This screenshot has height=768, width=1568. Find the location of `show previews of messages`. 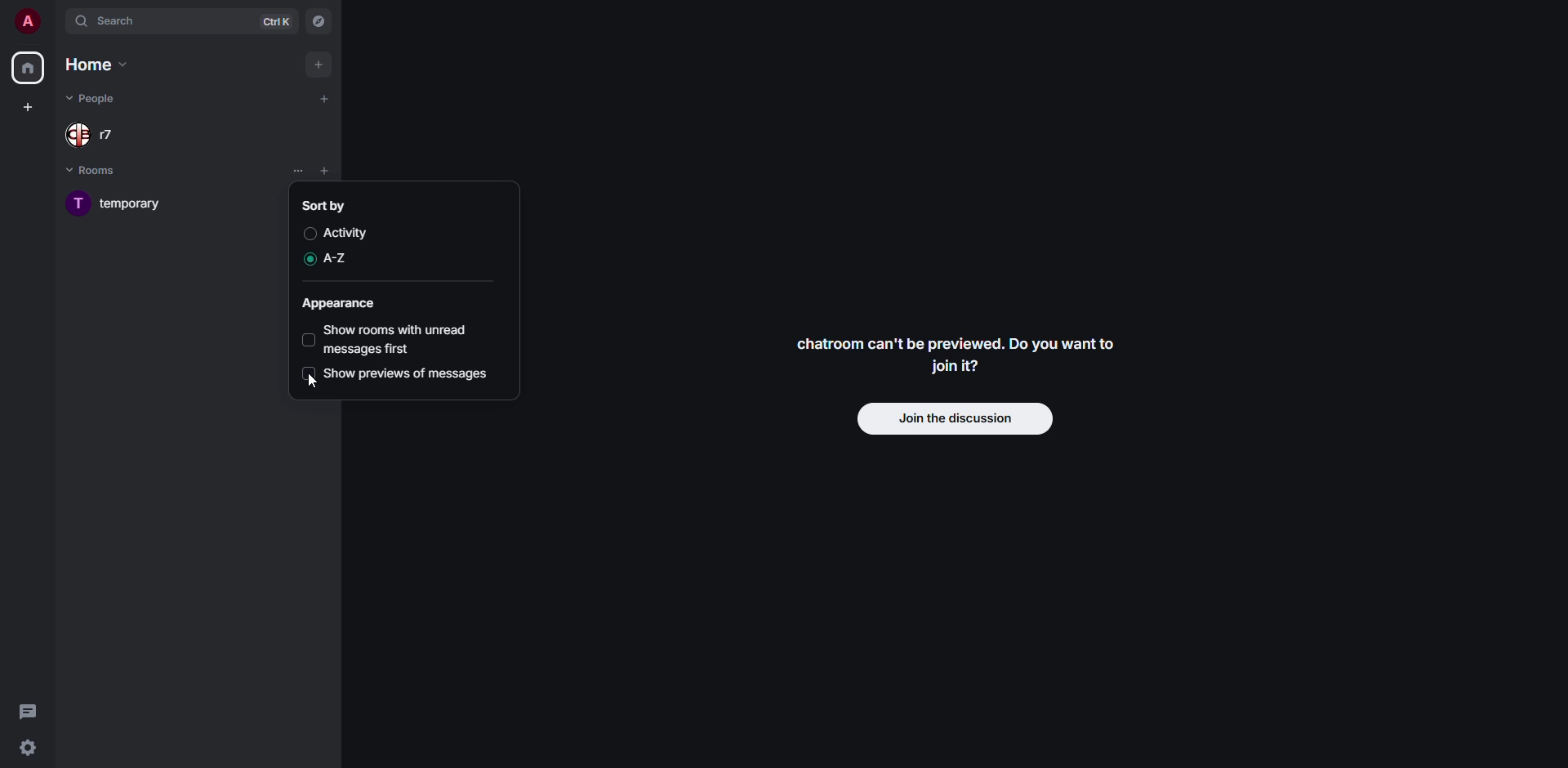

show previews of messages is located at coordinates (408, 375).